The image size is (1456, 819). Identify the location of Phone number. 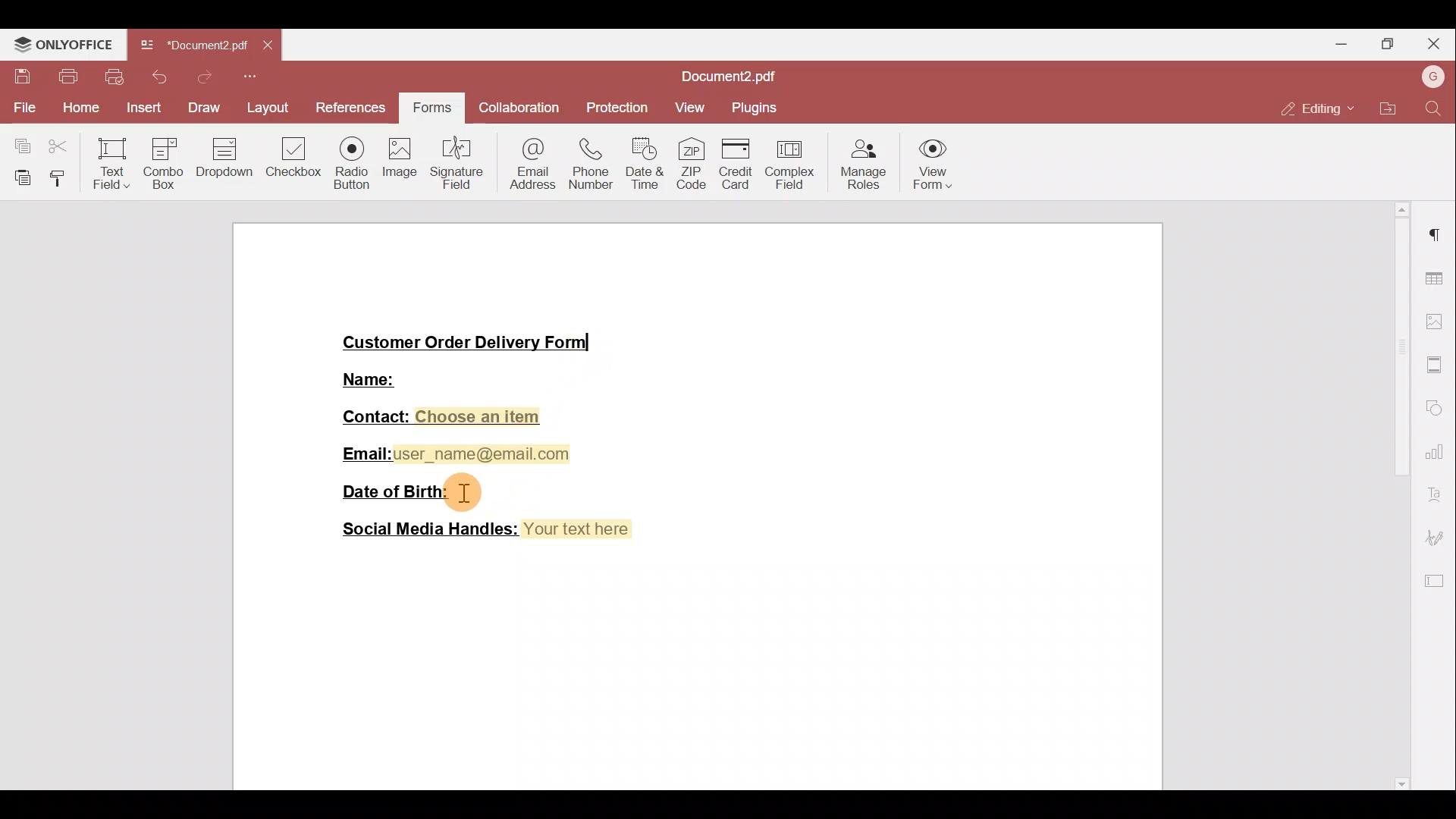
(591, 160).